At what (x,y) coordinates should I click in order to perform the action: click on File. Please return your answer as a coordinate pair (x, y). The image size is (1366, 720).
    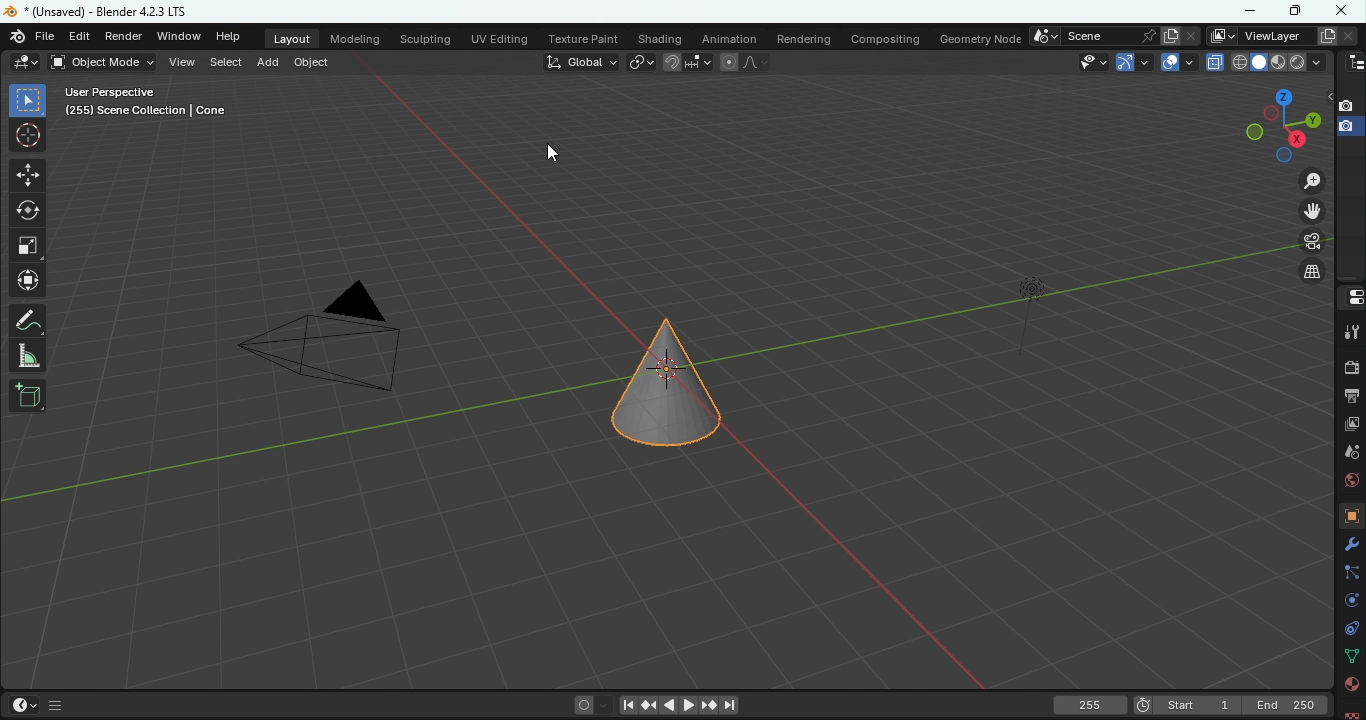
    Looking at the image, I should click on (47, 36).